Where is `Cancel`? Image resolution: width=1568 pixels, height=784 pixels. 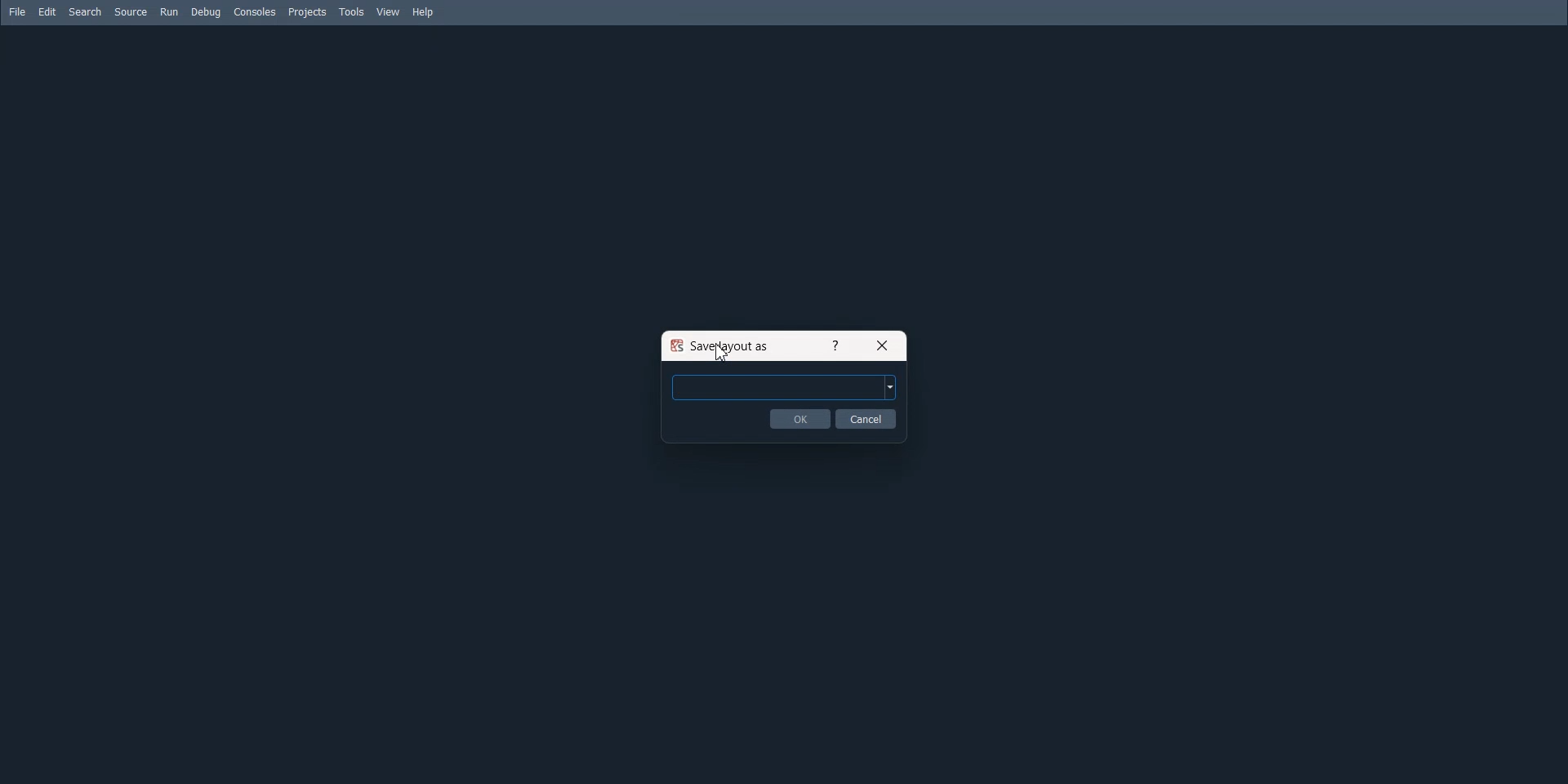
Cancel is located at coordinates (867, 418).